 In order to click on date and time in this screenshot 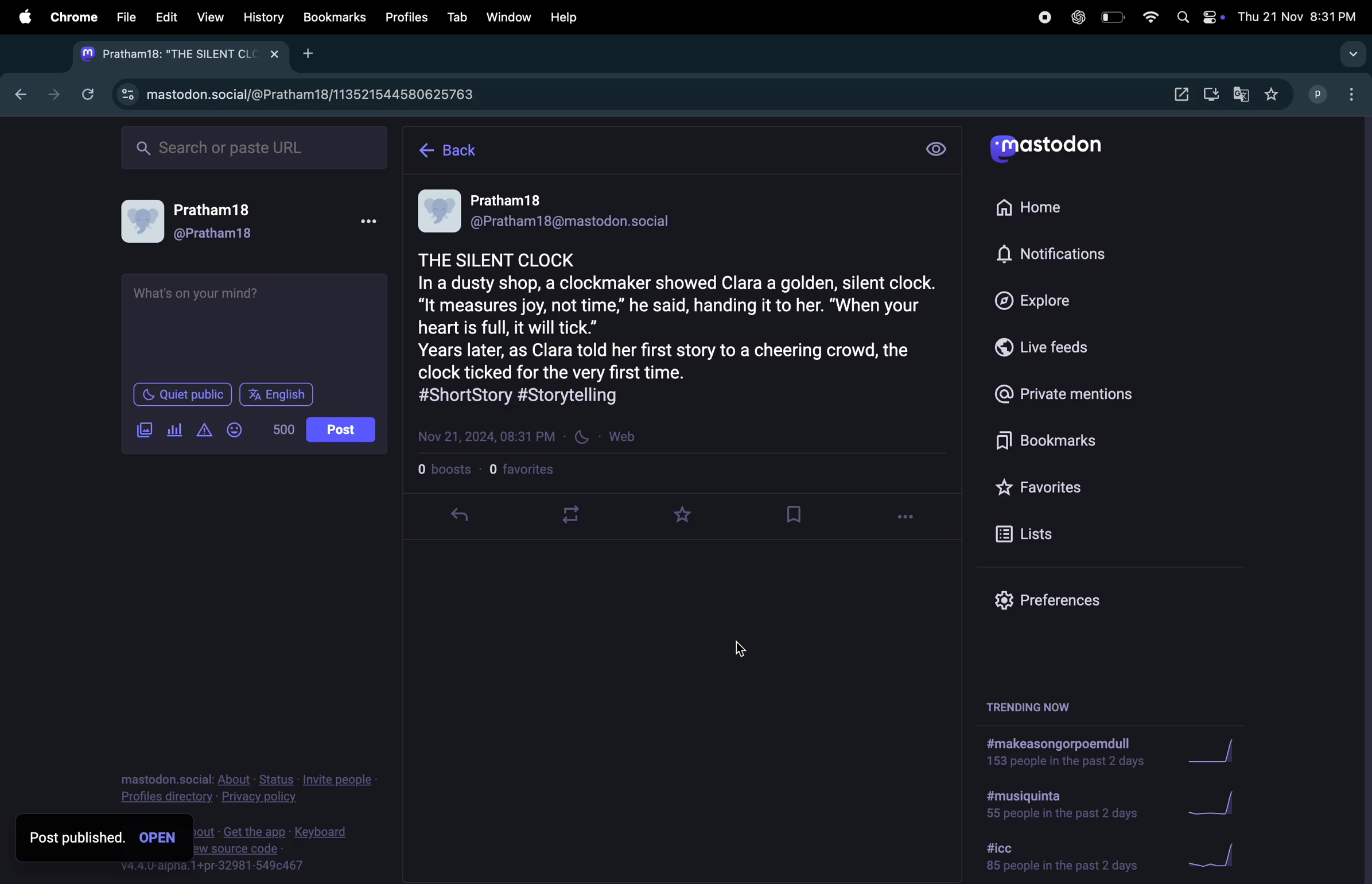, I will do `click(1300, 17)`.